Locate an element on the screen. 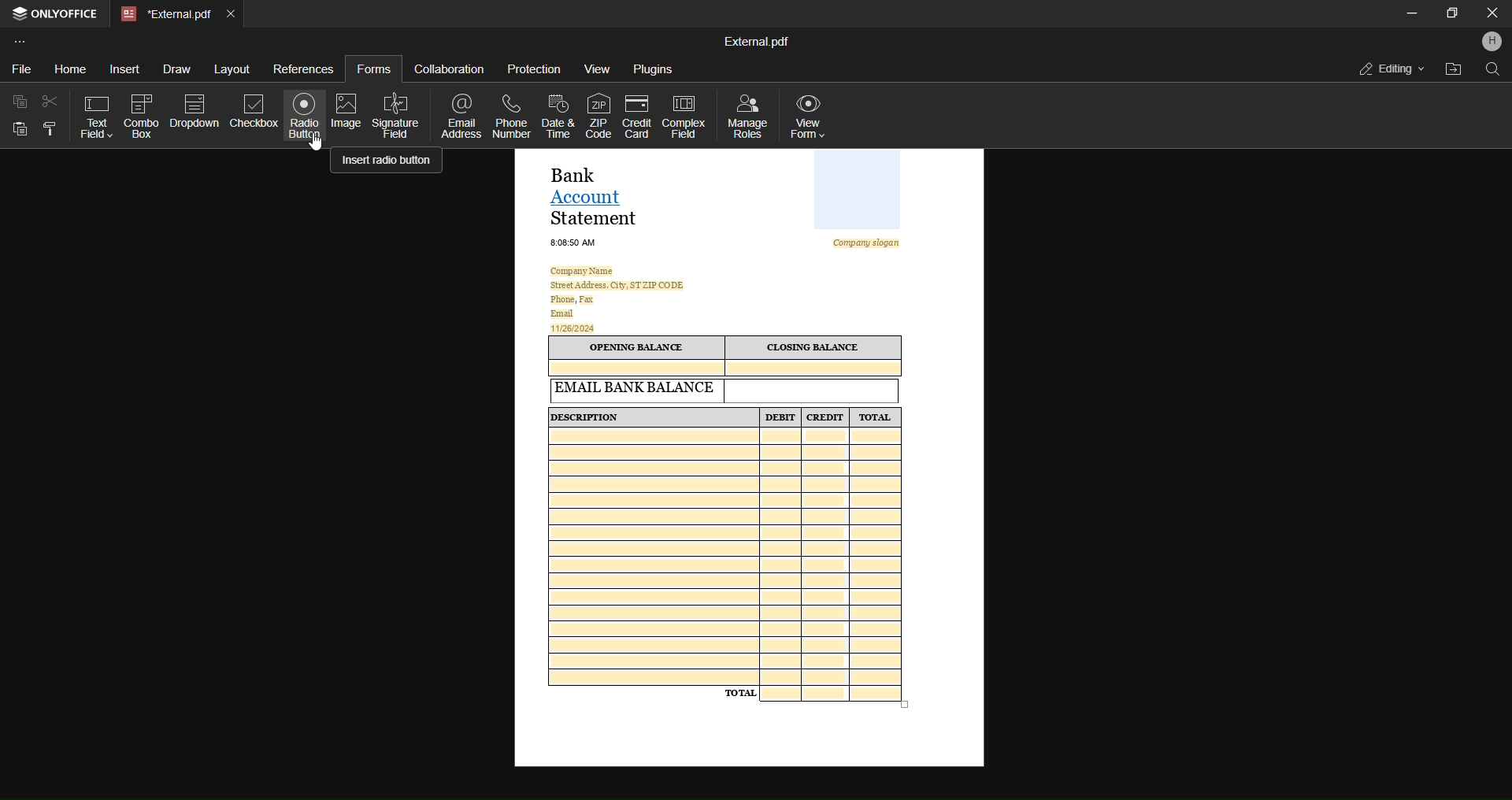 This screenshot has width=1512, height=800. email address is located at coordinates (461, 116).